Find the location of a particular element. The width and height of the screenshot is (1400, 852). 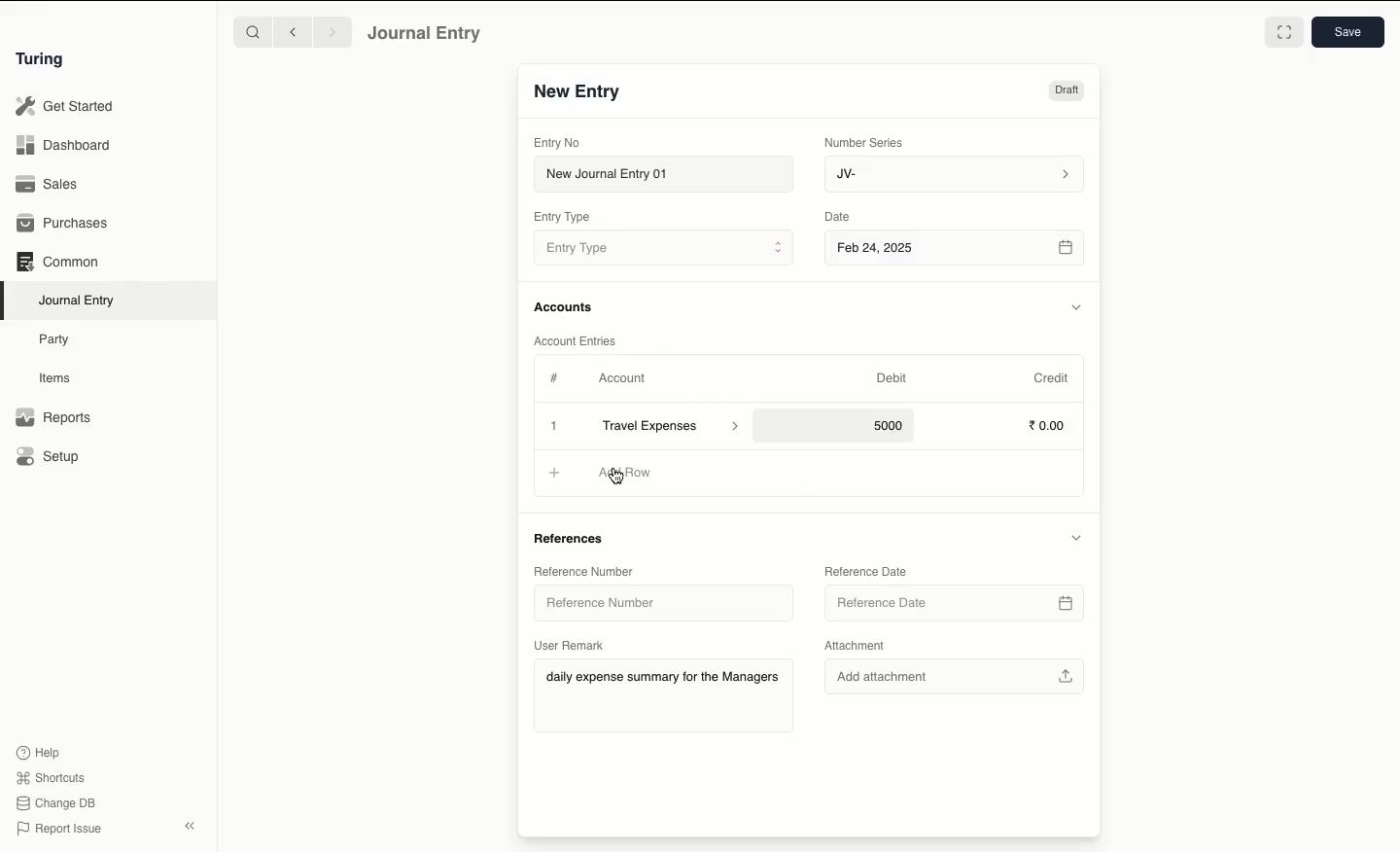

Number Series is located at coordinates (867, 143).